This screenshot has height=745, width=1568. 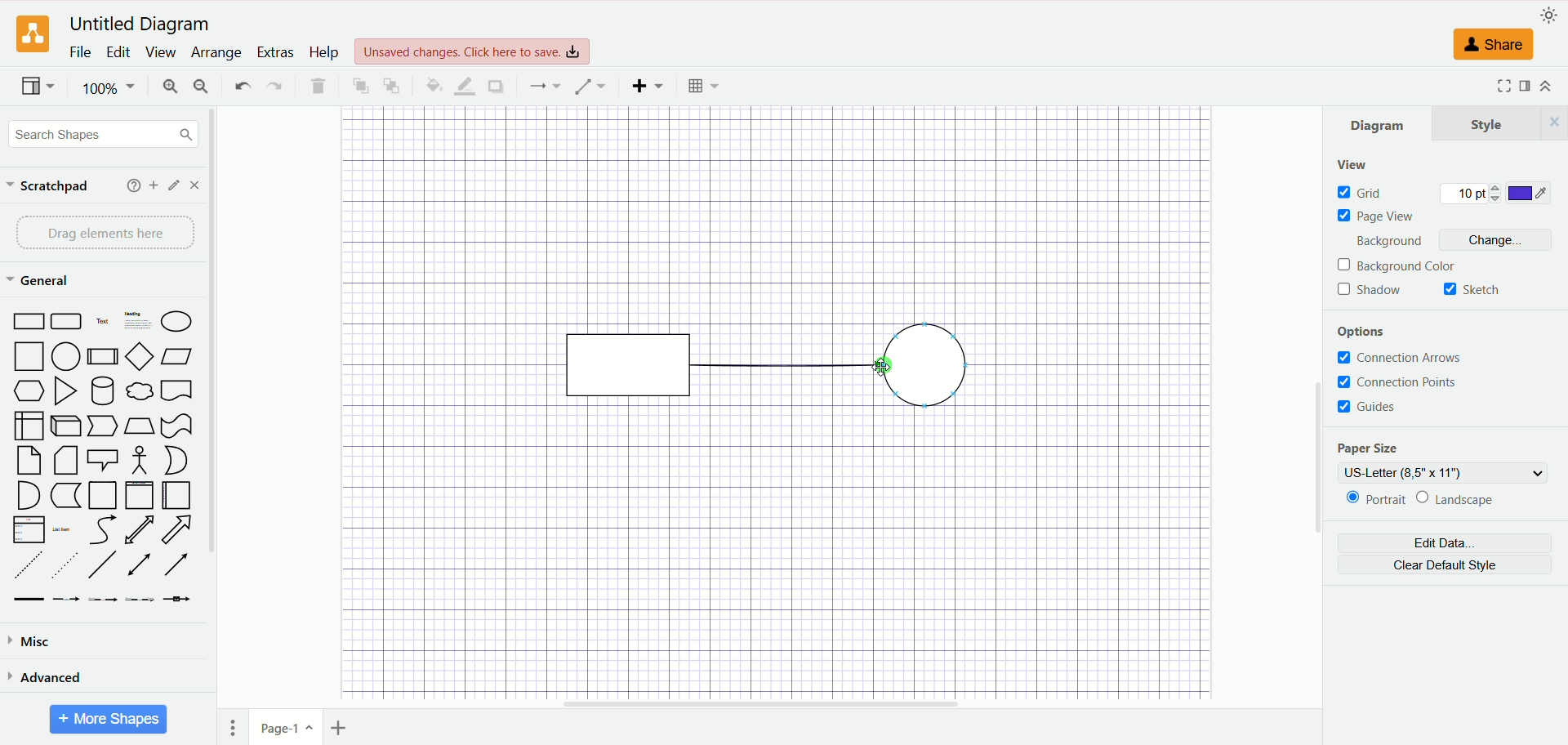 I want to click on Trapezoid, so click(x=140, y=426).